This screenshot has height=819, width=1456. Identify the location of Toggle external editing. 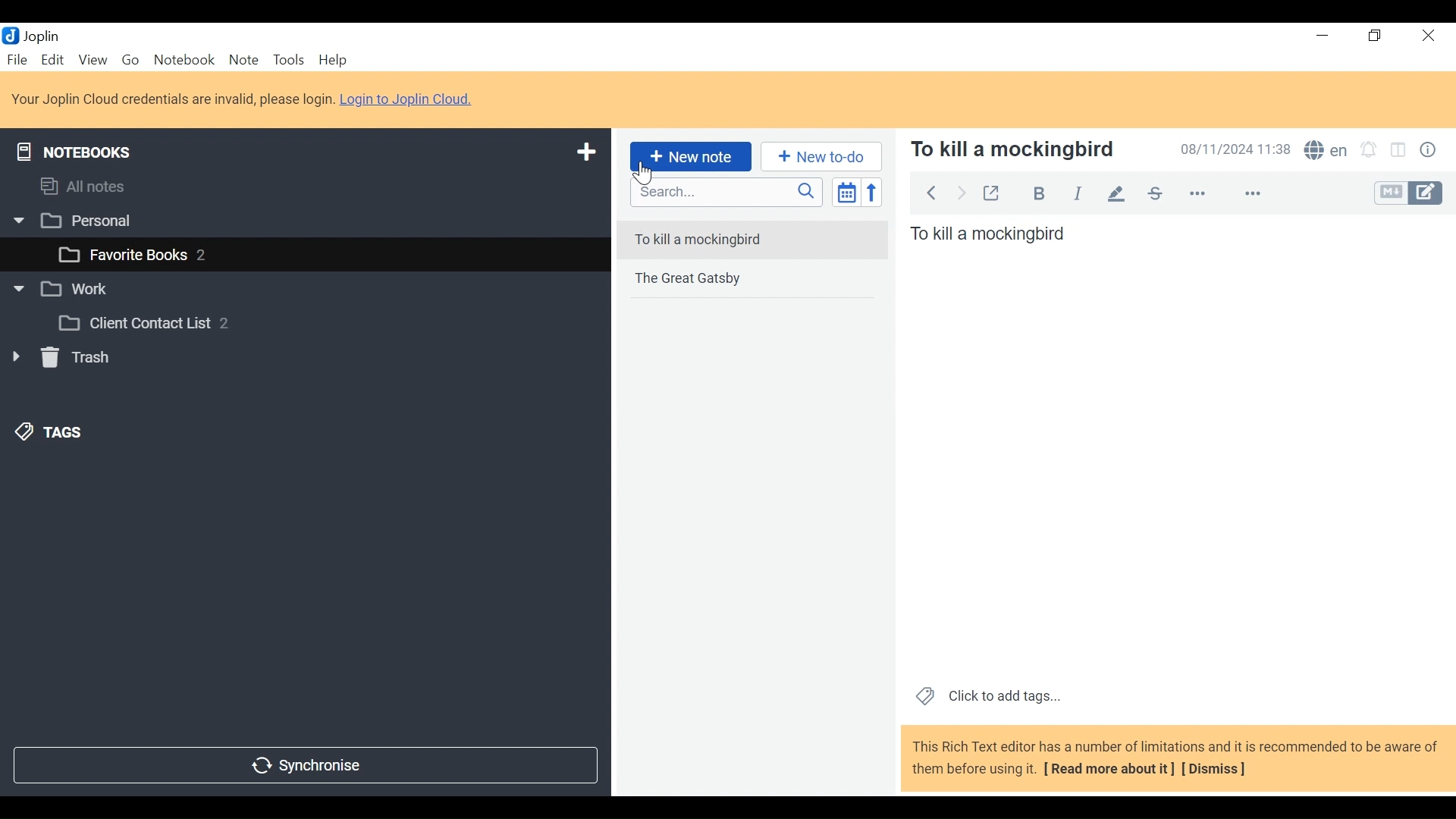
(993, 193).